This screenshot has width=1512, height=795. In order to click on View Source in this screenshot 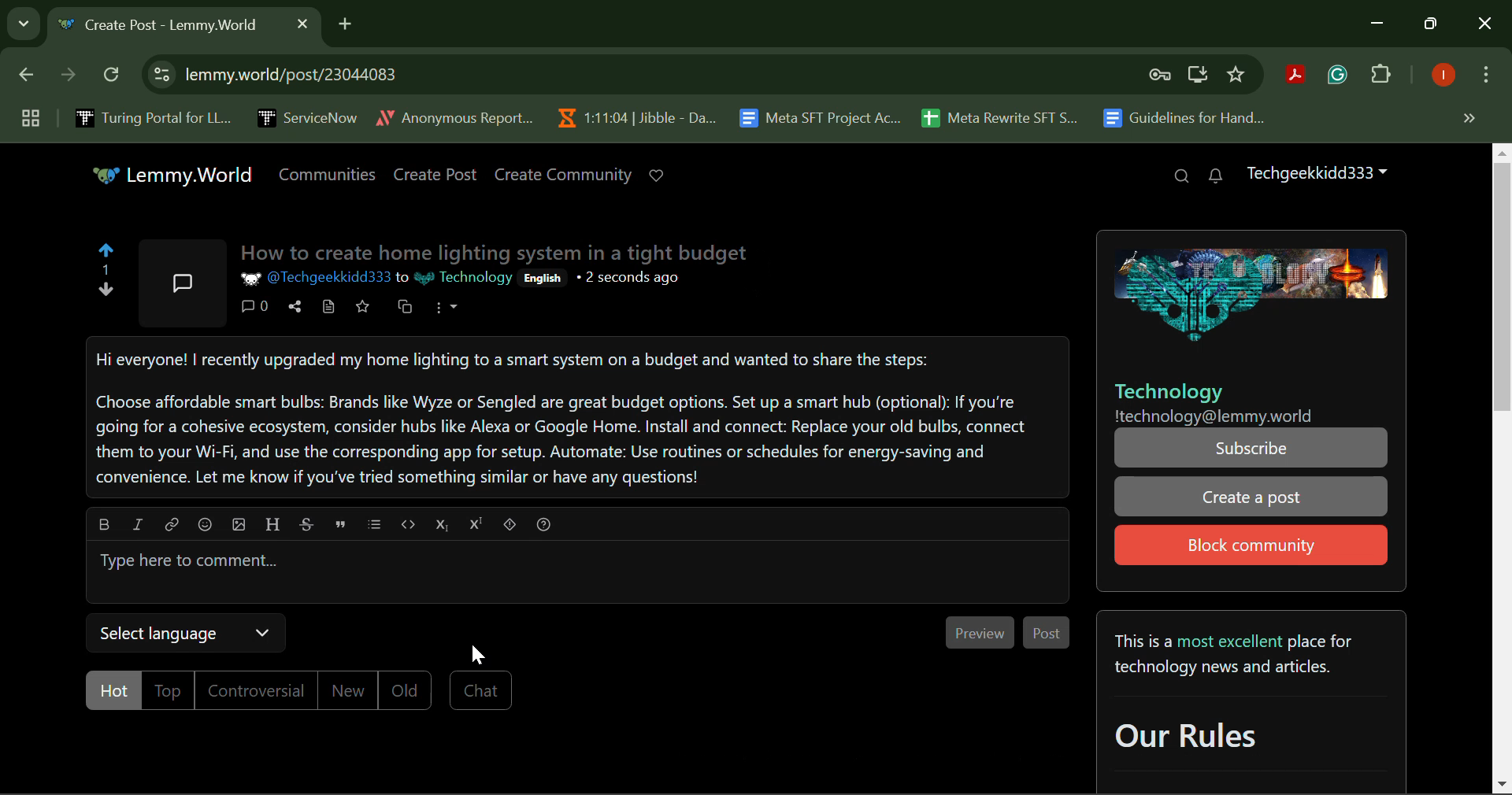, I will do `click(330, 307)`.